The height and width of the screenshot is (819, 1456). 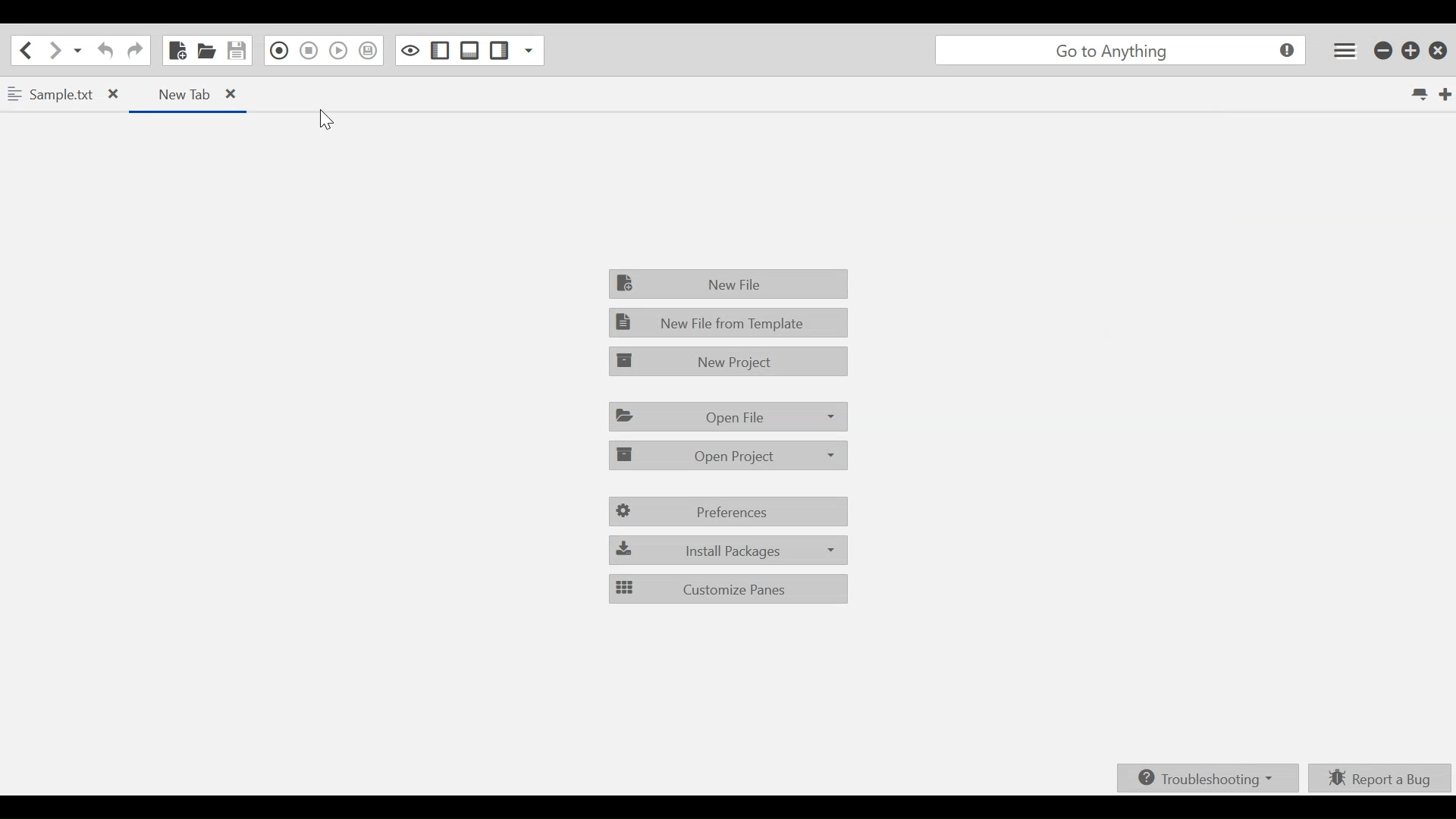 What do you see at coordinates (367, 52) in the screenshot?
I see `Save Macro to Toolbox as Superscript` at bounding box center [367, 52].